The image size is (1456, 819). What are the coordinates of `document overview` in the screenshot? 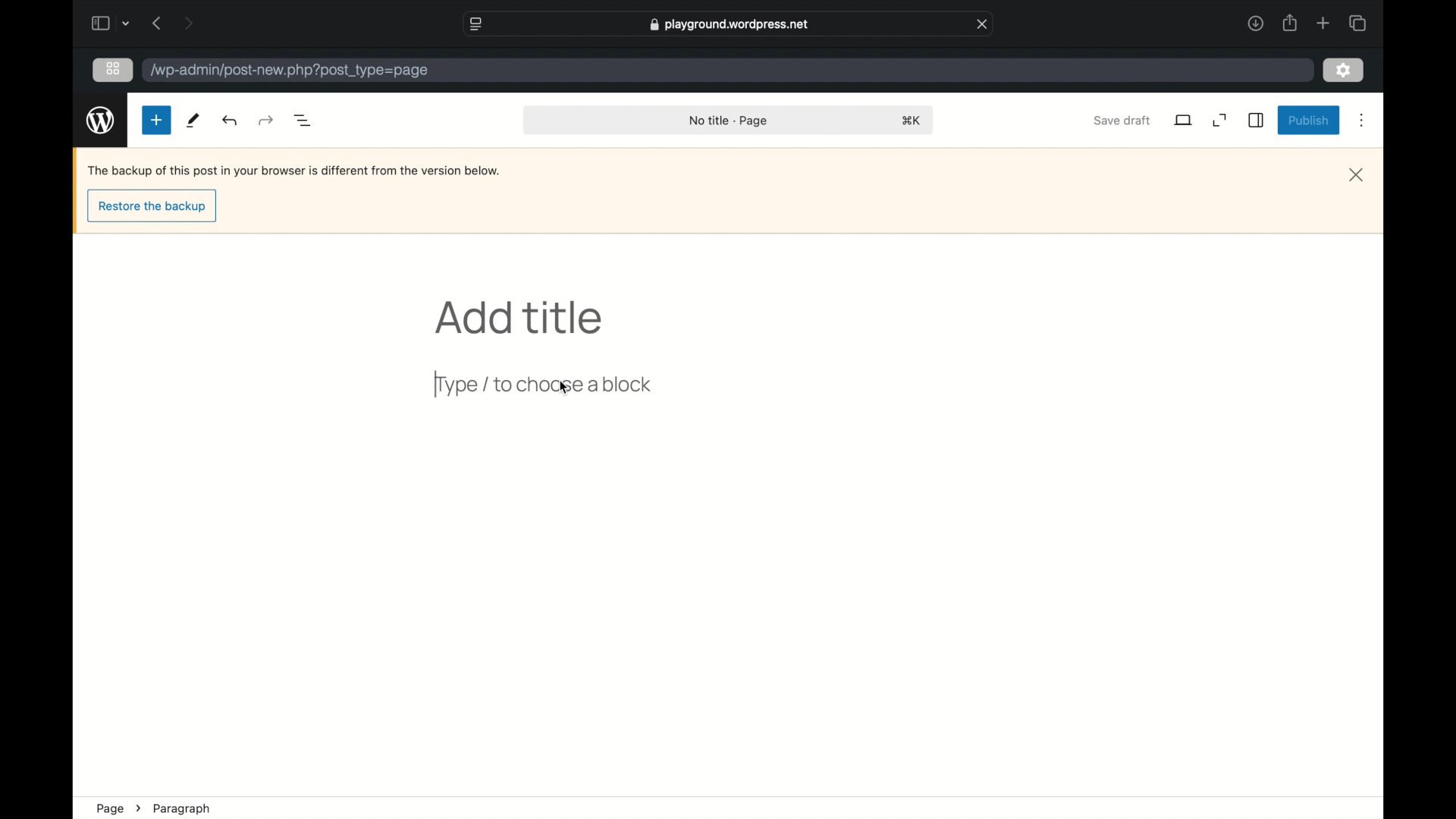 It's located at (302, 119).